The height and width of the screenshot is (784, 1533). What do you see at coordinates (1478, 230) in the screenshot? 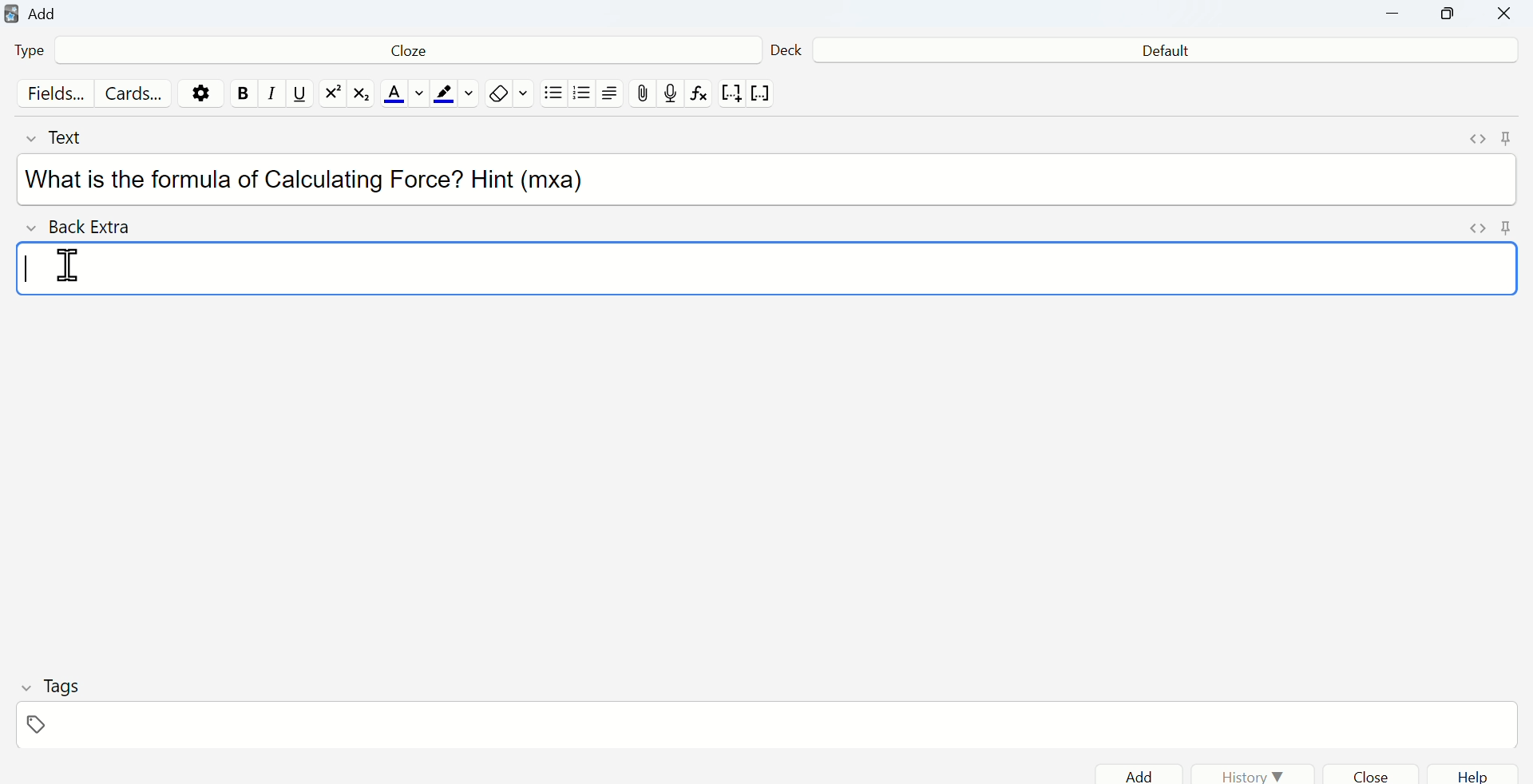
I see `Expand` at bounding box center [1478, 230].